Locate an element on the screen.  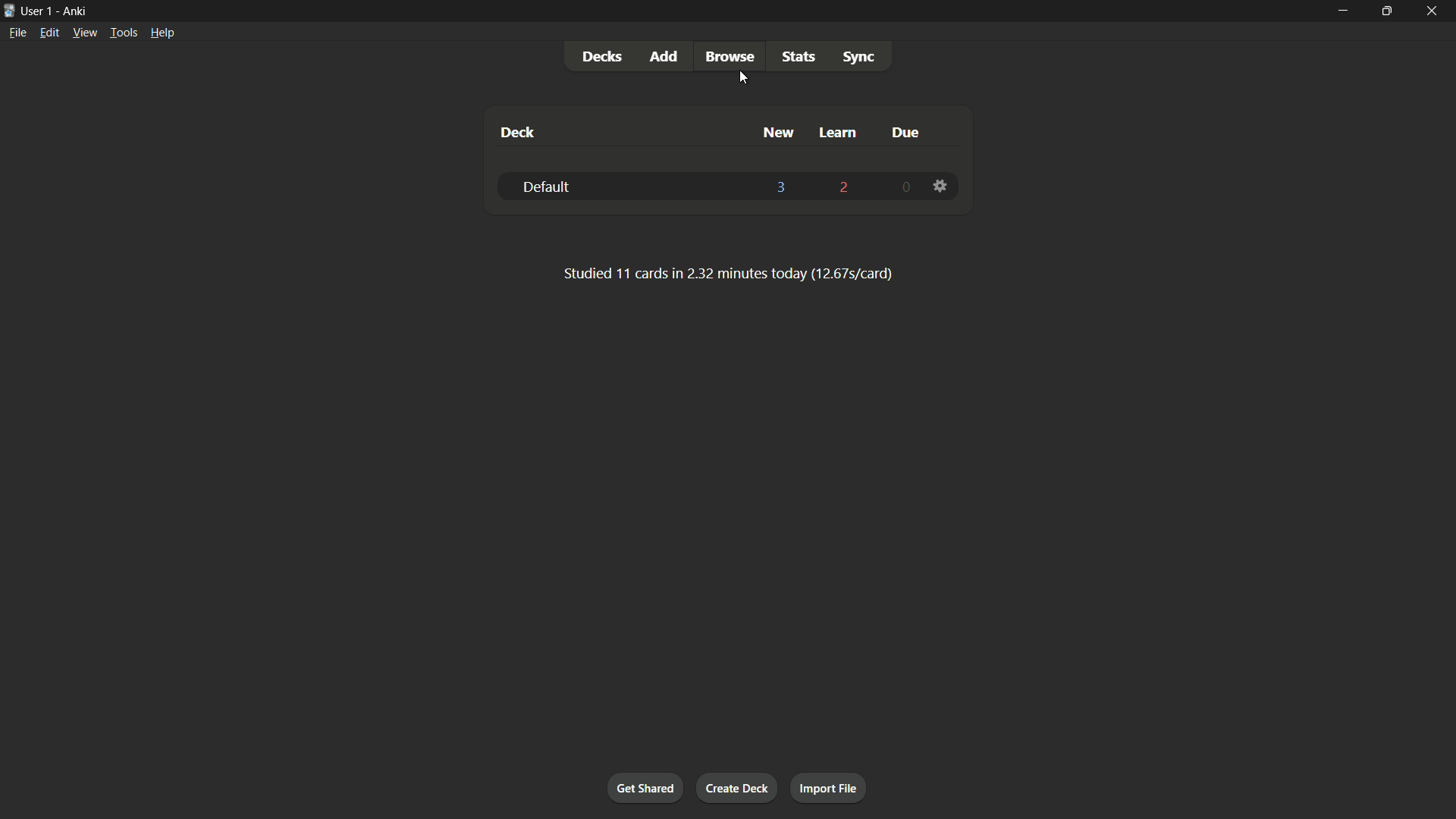
learn is located at coordinates (839, 132).